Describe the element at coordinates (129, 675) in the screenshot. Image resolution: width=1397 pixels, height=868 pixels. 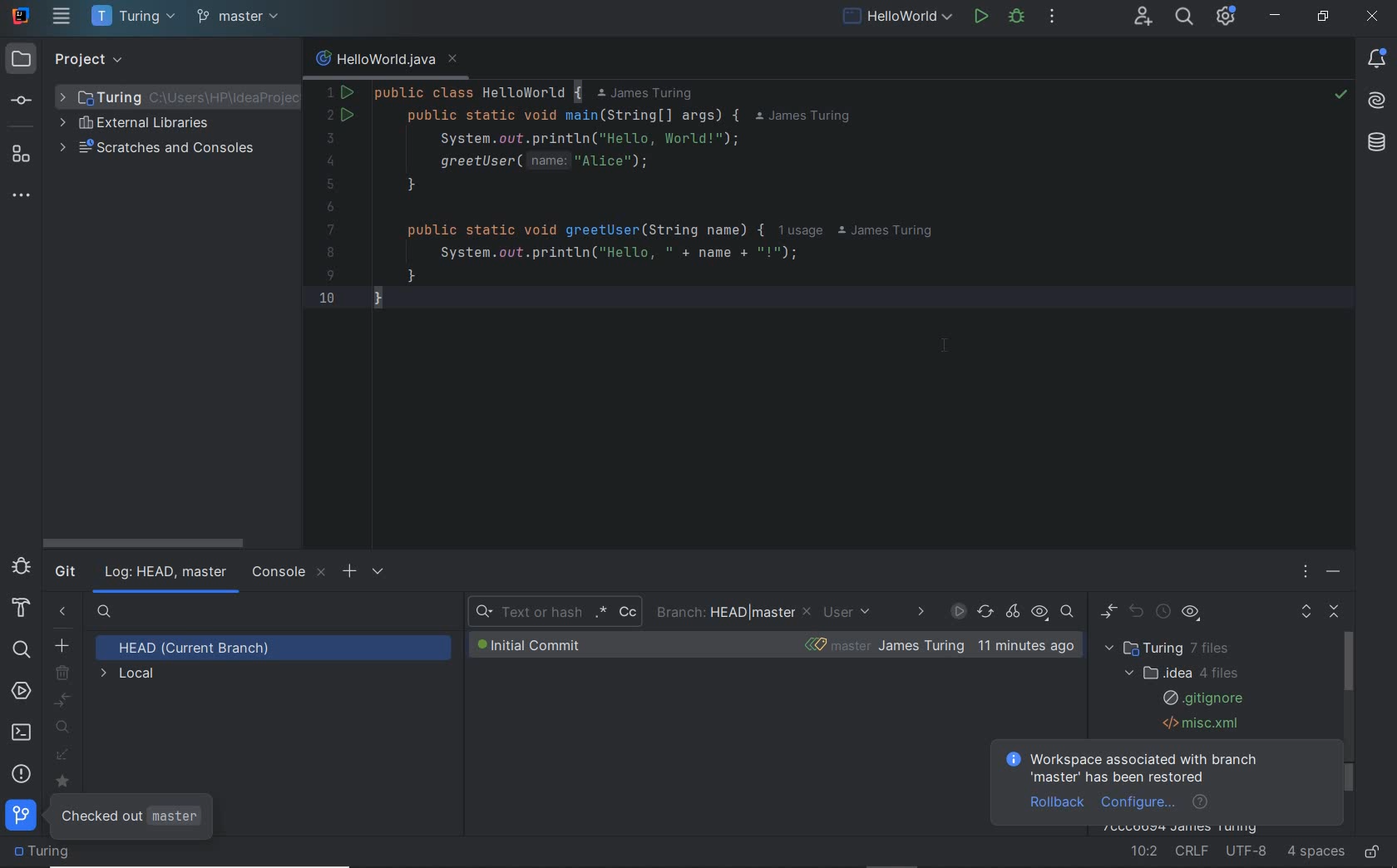
I see `LOCAL` at that location.